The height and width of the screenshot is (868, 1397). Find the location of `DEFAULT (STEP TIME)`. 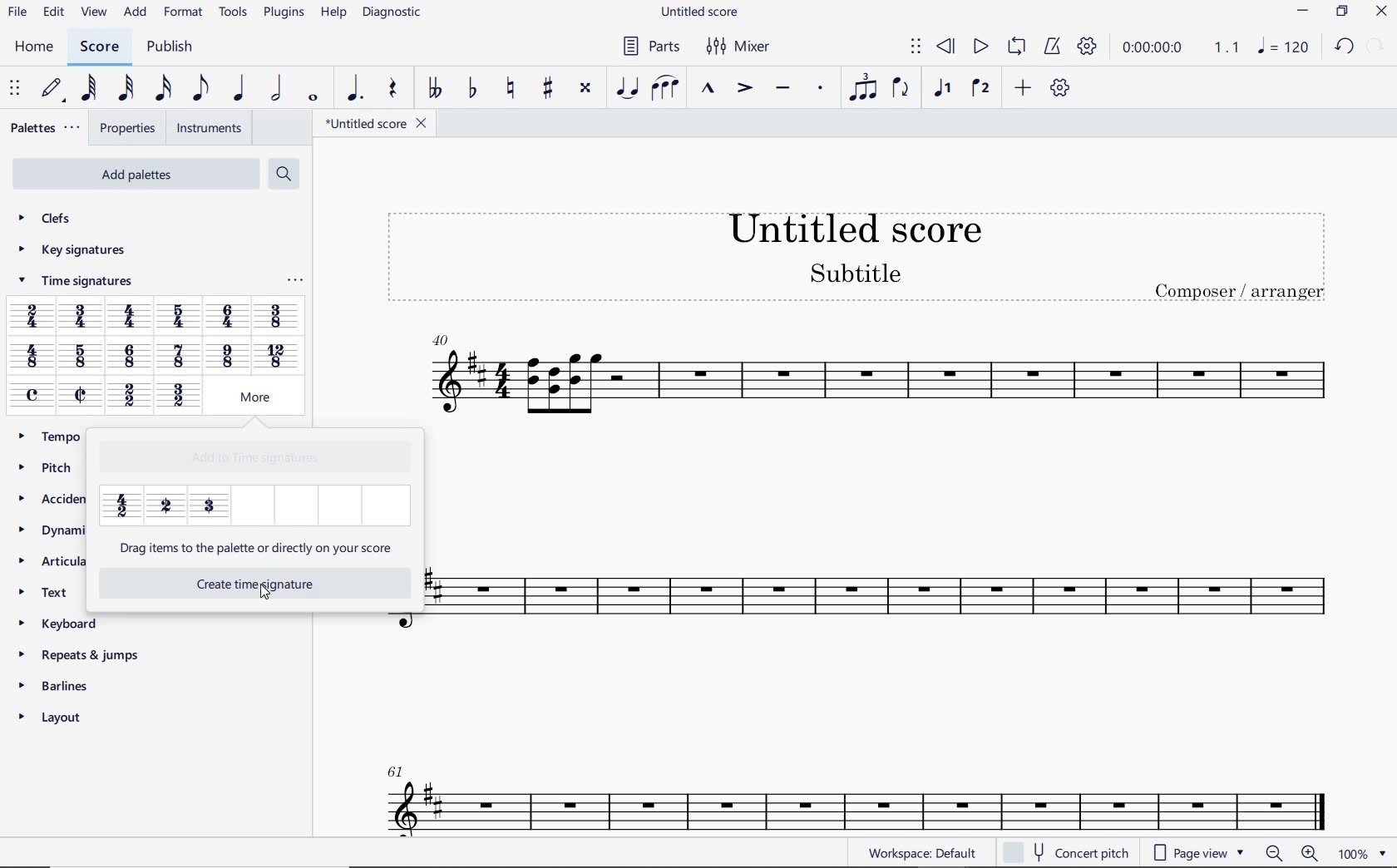

DEFAULT (STEP TIME) is located at coordinates (52, 89).